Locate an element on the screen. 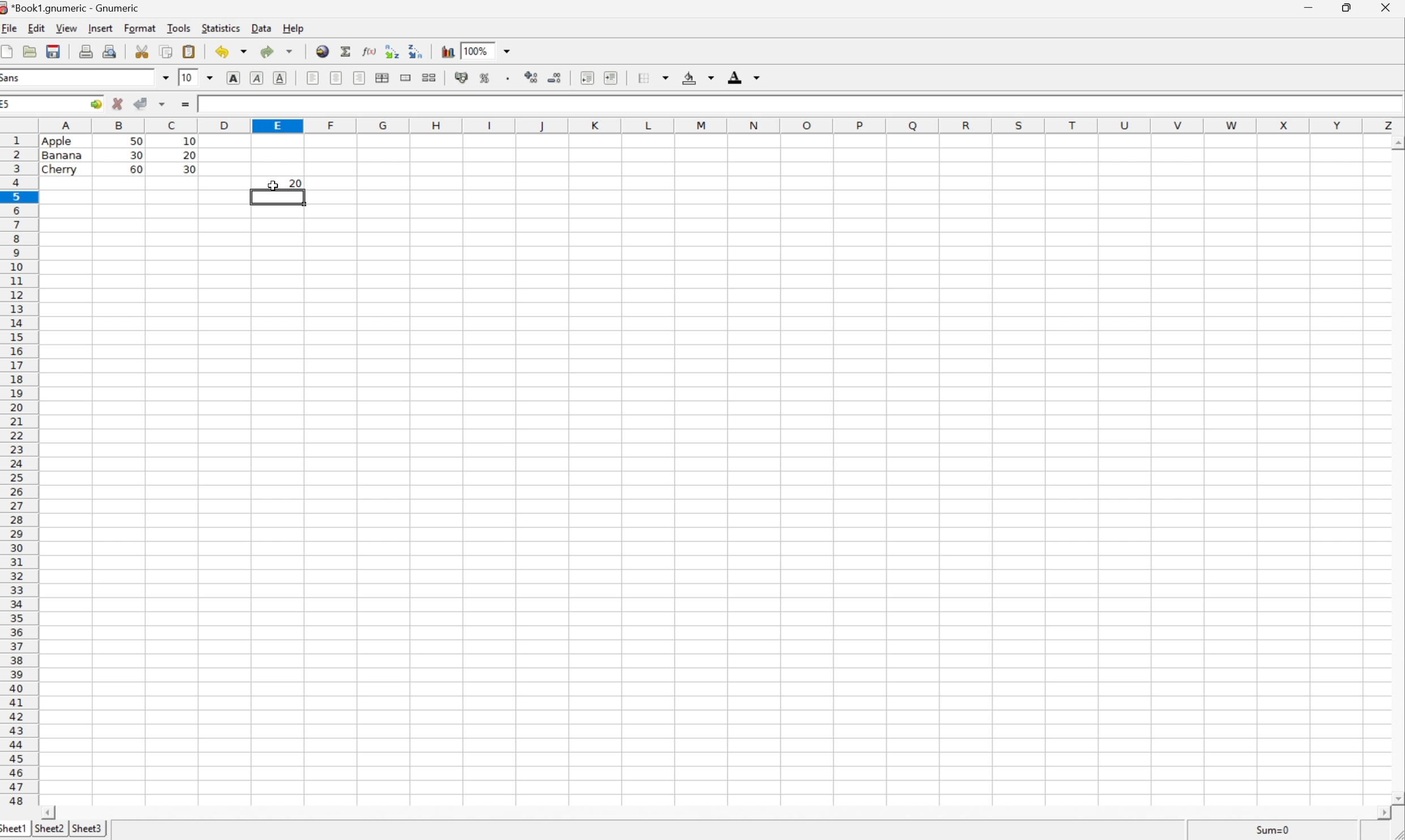 This screenshot has height=840, width=1405. 100% is located at coordinates (475, 49).